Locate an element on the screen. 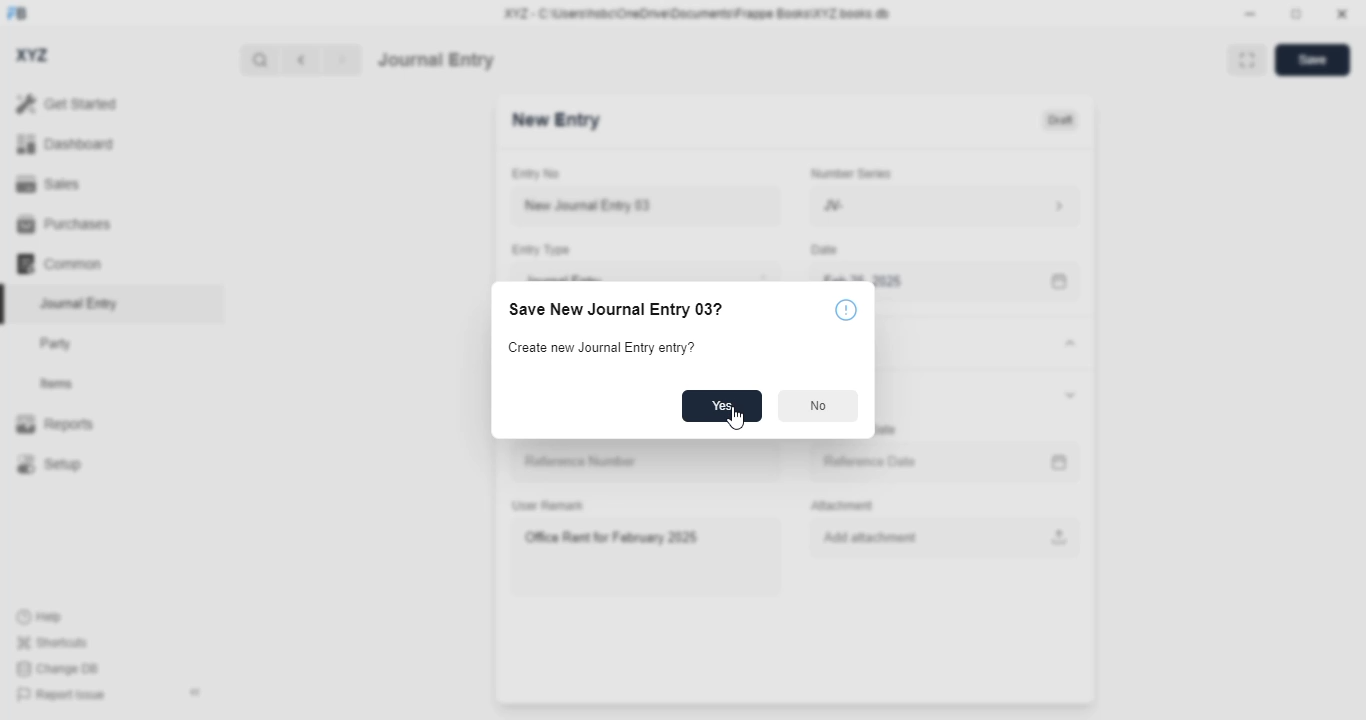 The width and height of the screenshot is (1366, 720). journal entry is located at coordinates (77, 303).